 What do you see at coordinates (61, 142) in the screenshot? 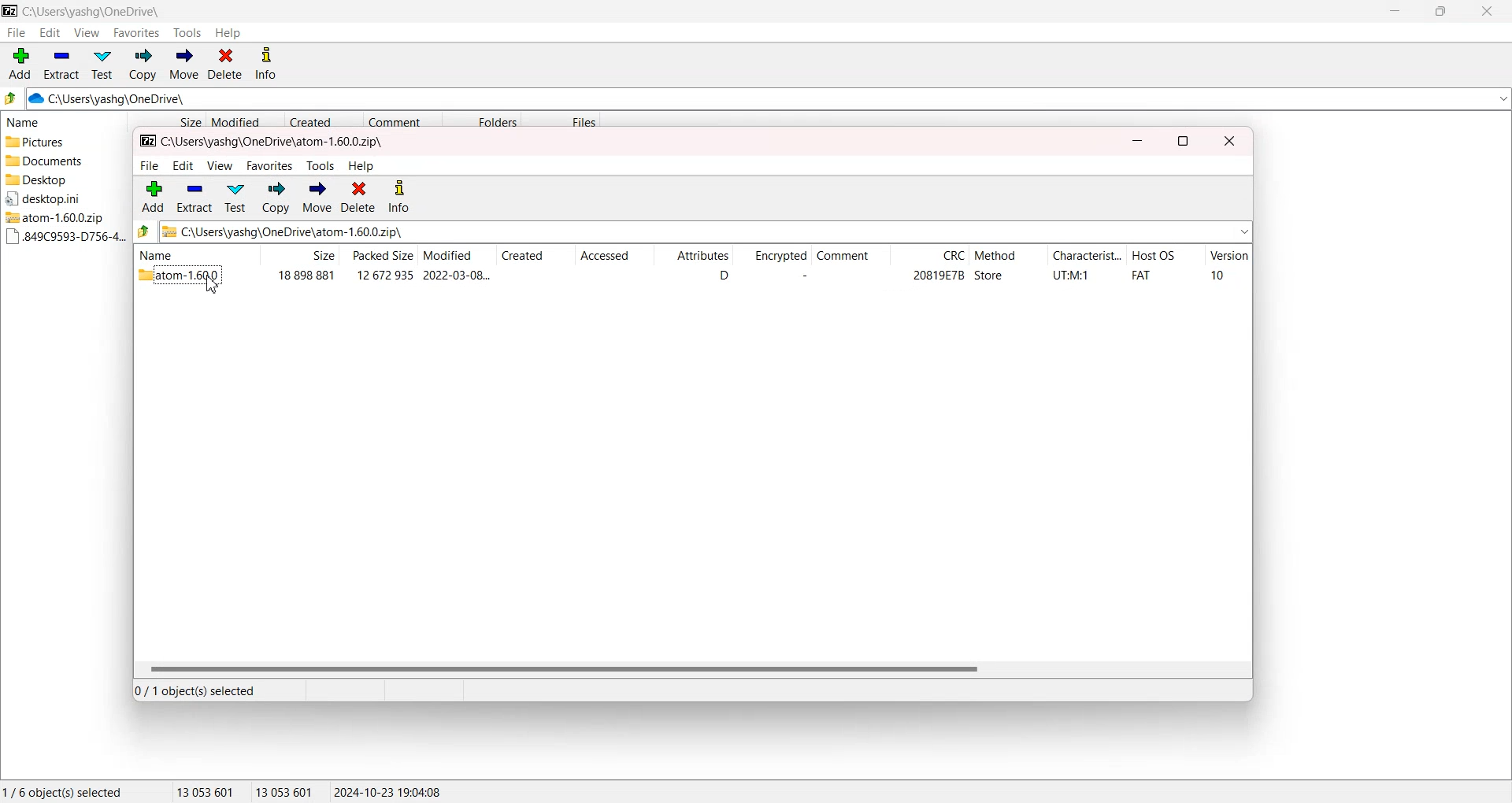
I see `Pictures file` at bounding box center [61, 142].